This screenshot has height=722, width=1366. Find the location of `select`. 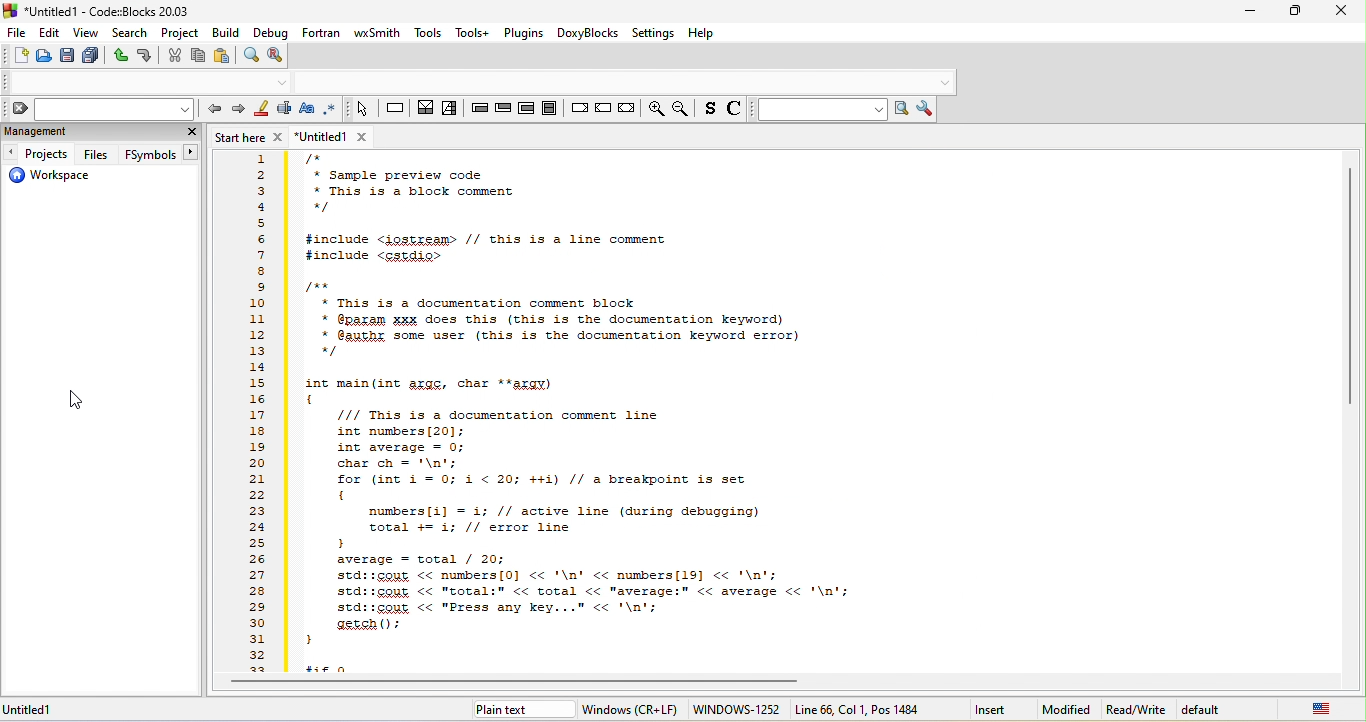

select is located at coordinates (361, 110).